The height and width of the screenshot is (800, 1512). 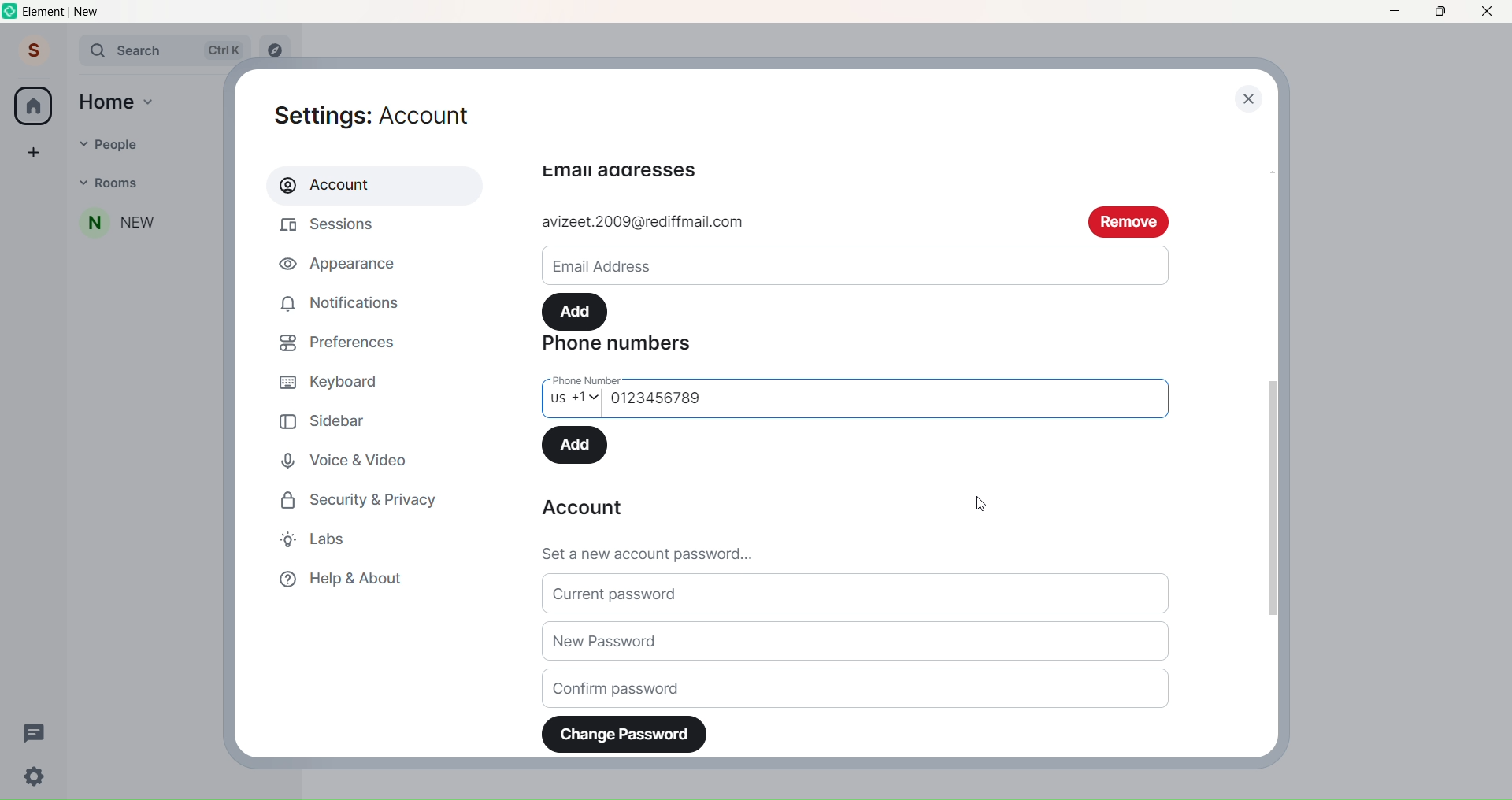 What do you see at coordinates (146, 223) in the screenshot?
I see `People added to Room` at bounding box center [146, 223].